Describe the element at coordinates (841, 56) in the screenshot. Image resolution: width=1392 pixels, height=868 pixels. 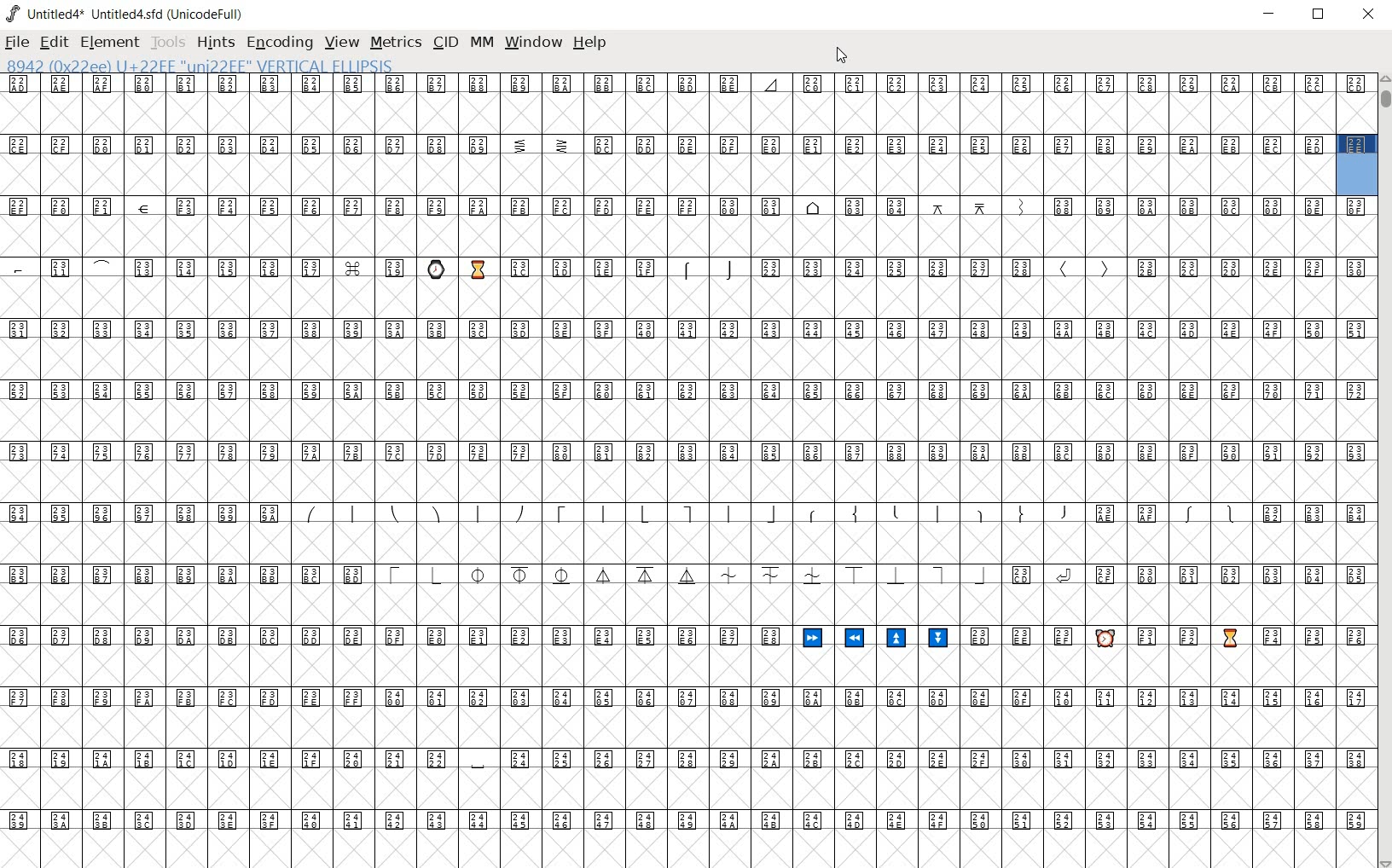
I see `CURSOR` at that location.